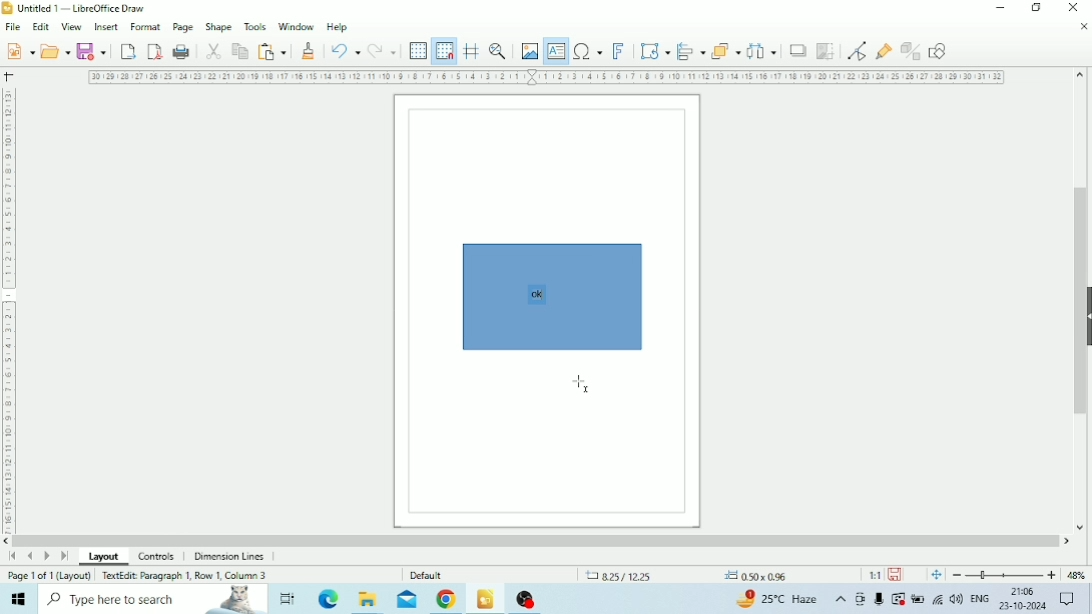 The height and width of the screenshot is (614, 1092). I want to click on Minimize, so click(1003, 8).